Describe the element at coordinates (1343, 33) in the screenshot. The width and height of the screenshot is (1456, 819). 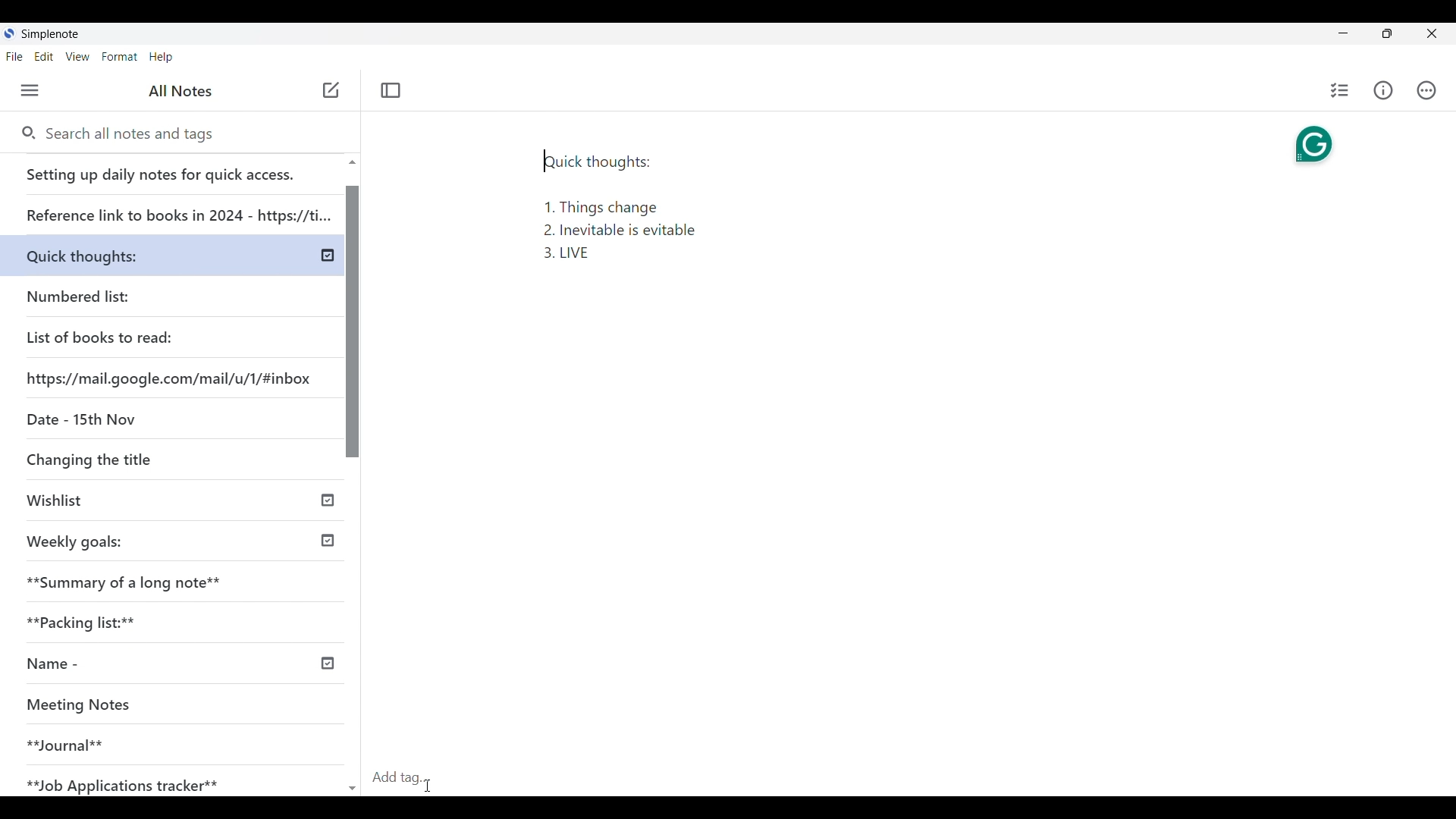
I see `Minimize` at that location.